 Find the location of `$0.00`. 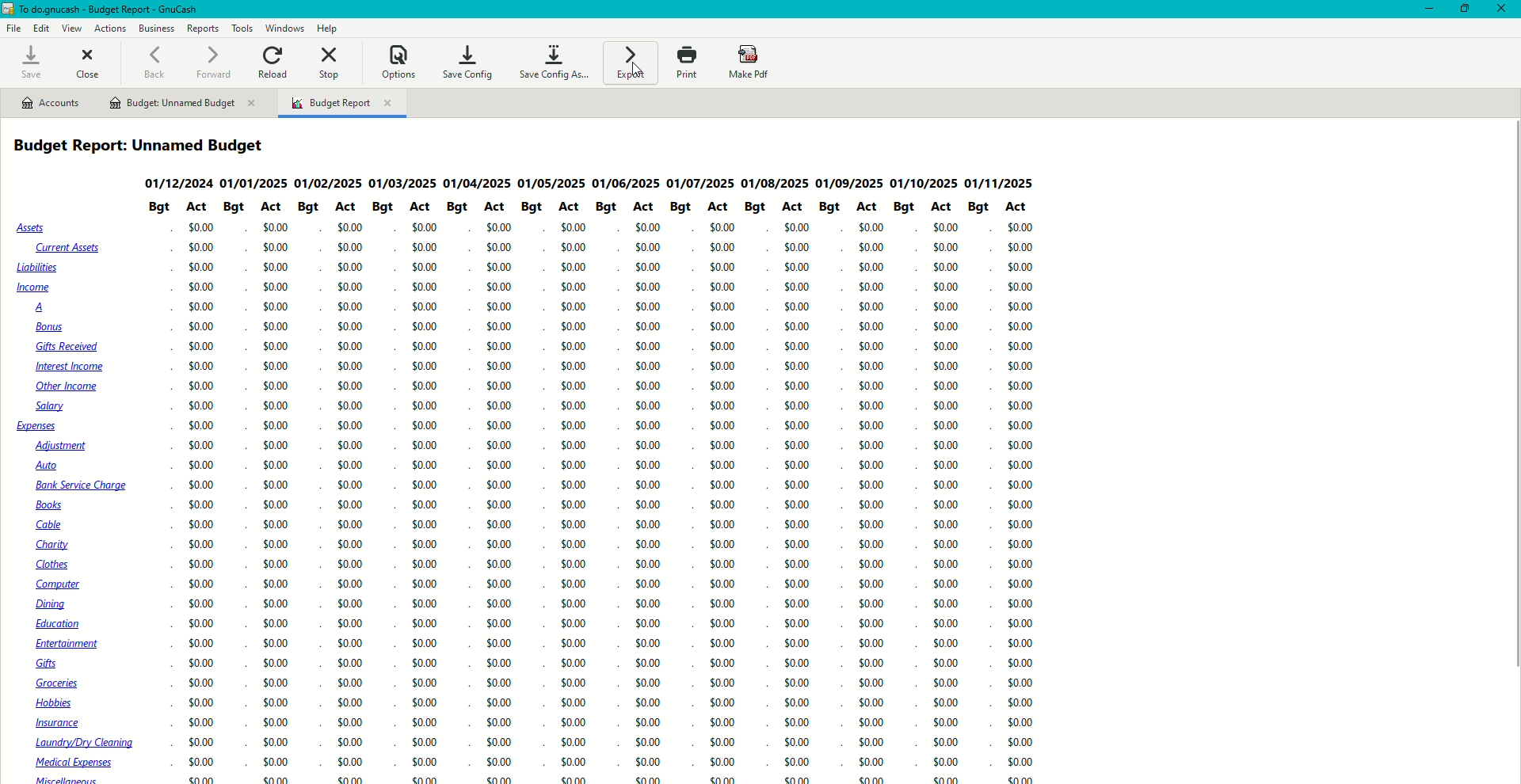

$0.00 is located at coordinates (495, 605).